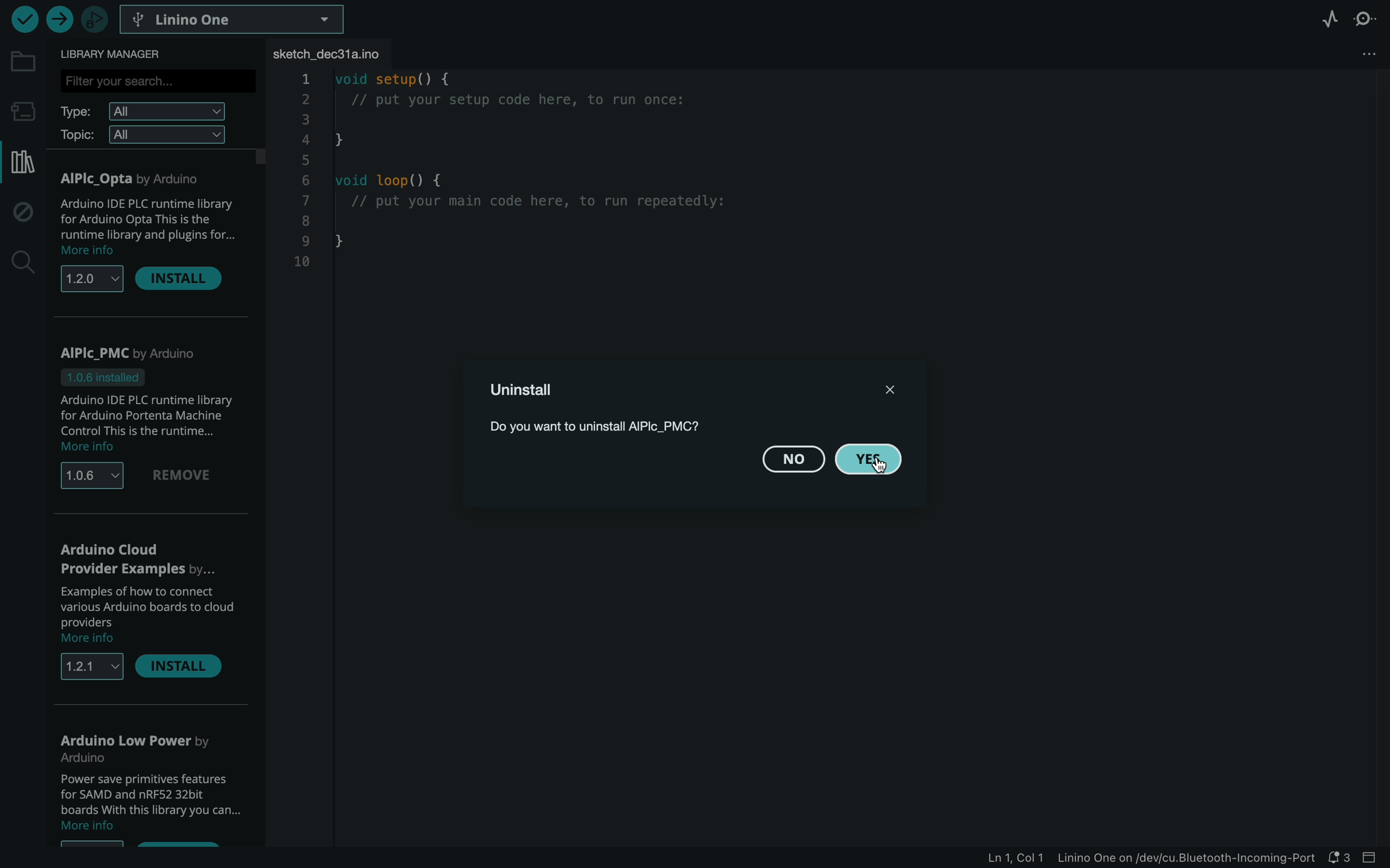 The width and height of the screenshot is (1390, 868). Describe the element at coordinates (92, 666) in the screenshot. I see `versions` at that location.